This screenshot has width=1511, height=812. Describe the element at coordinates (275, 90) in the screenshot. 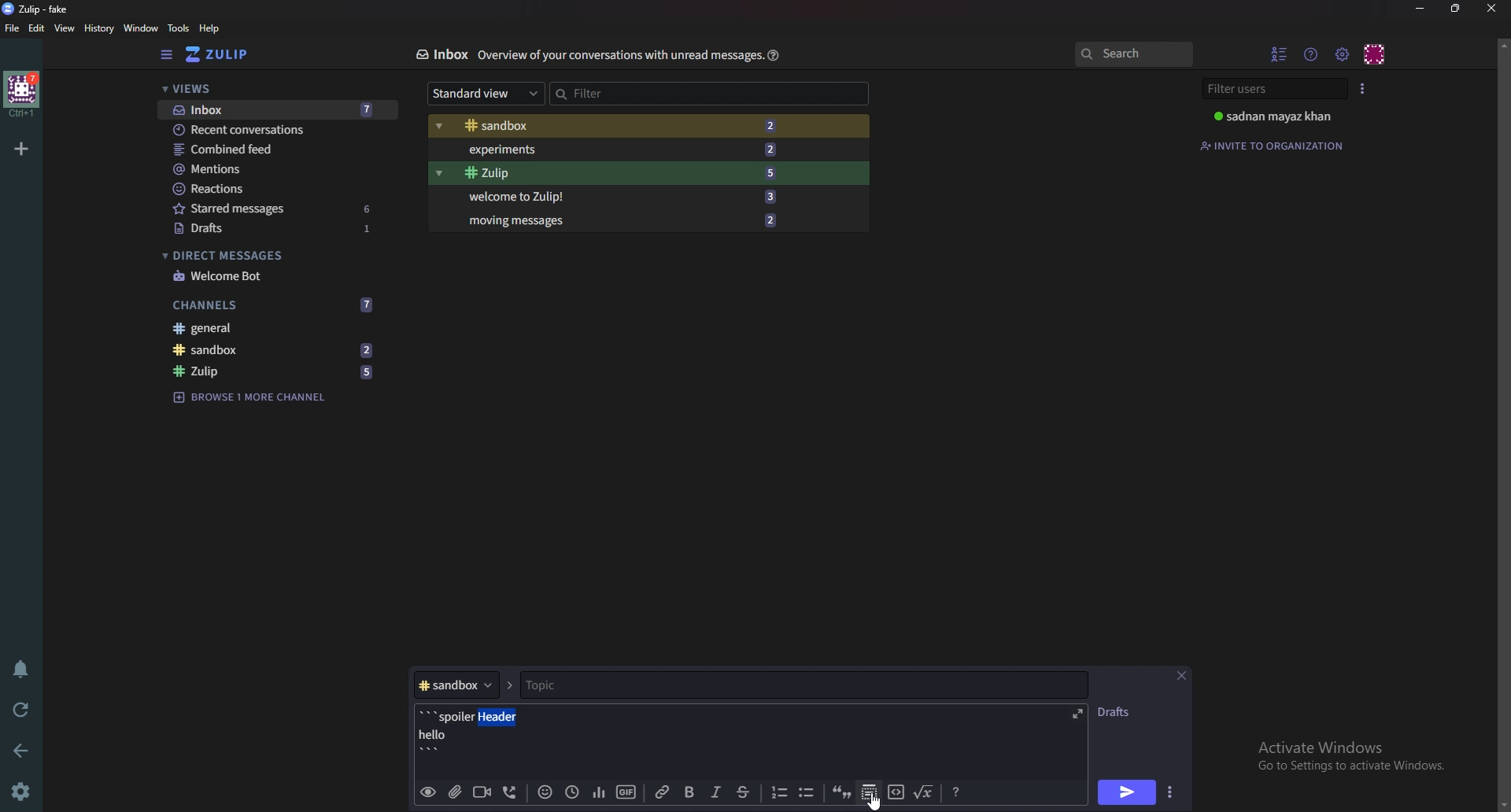

I see `Views` at that location.